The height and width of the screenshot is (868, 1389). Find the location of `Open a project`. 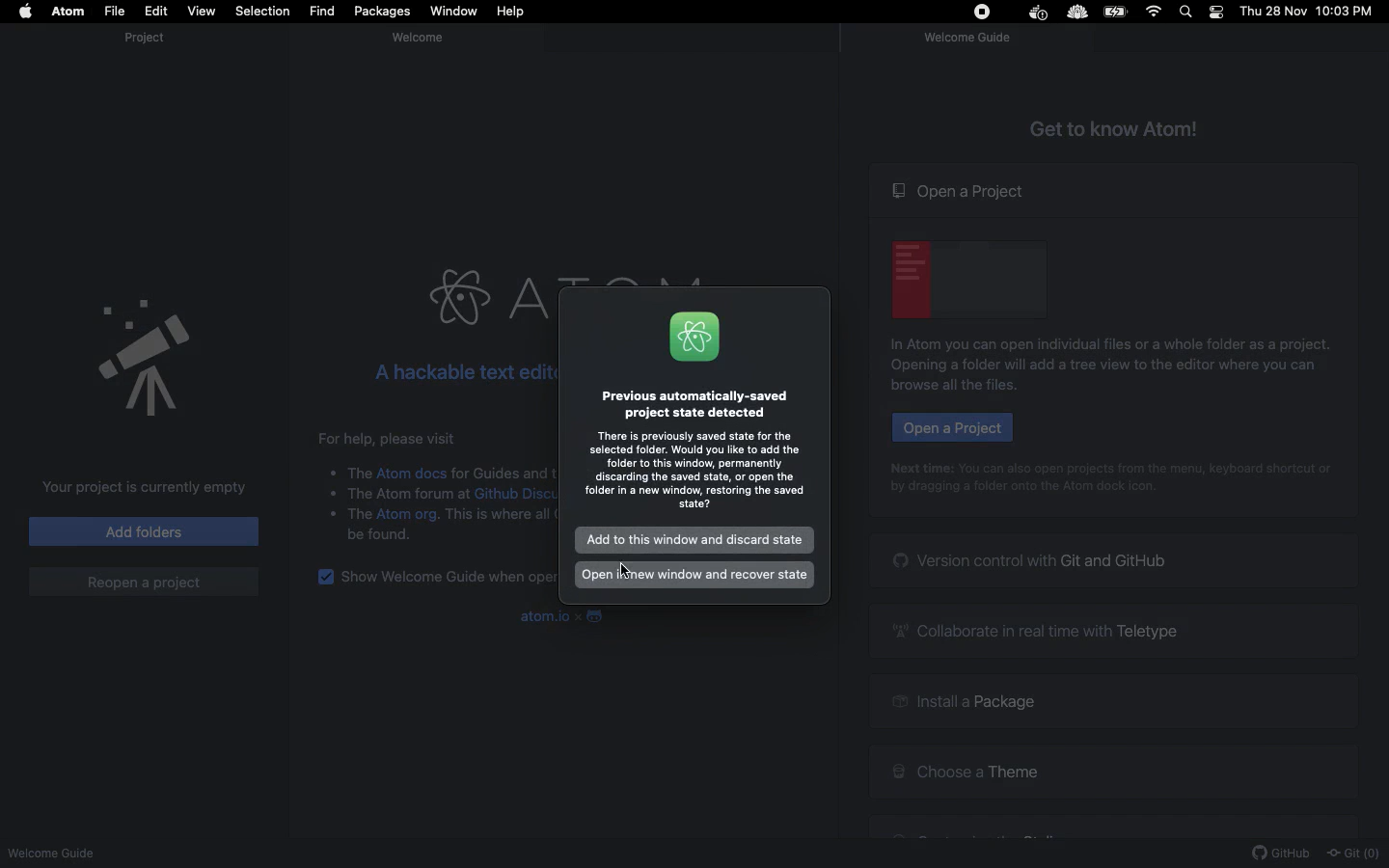

Open a project is located at coordinates (961, 191).